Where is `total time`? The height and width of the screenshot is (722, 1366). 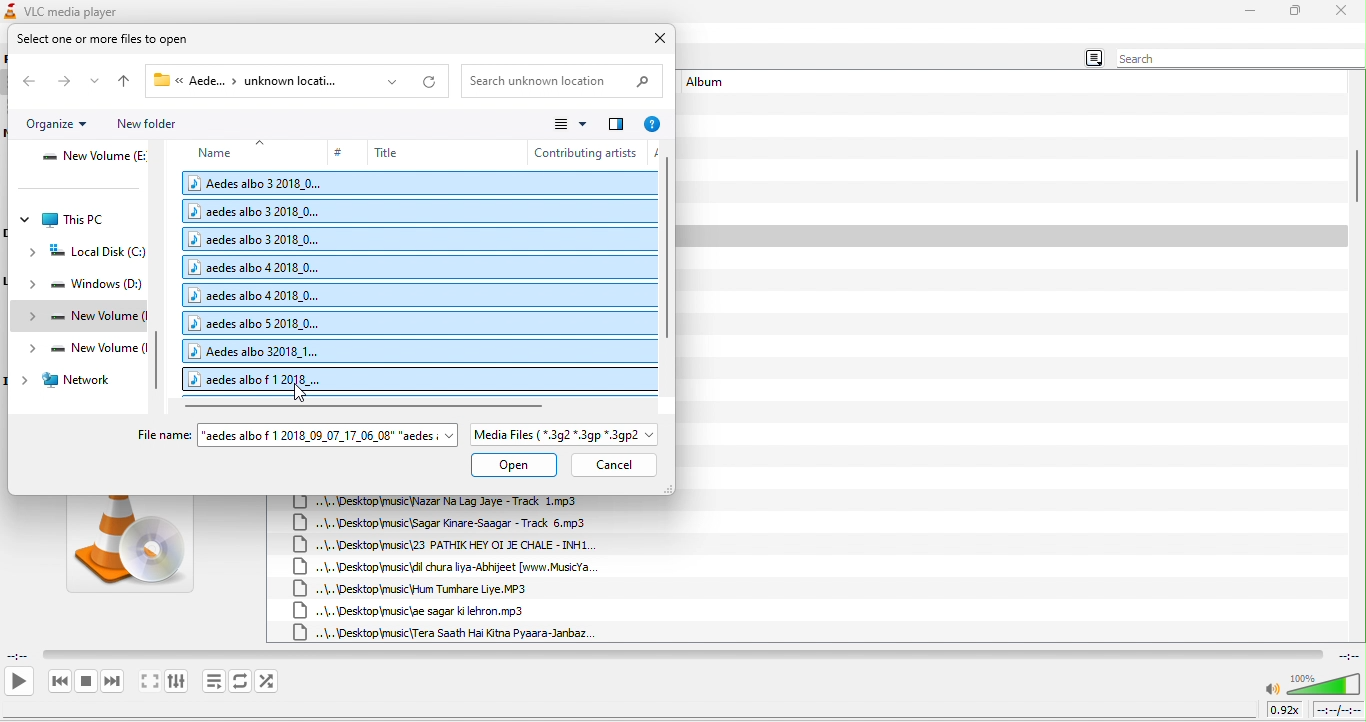 total time is located at coordinates (1346, 655).